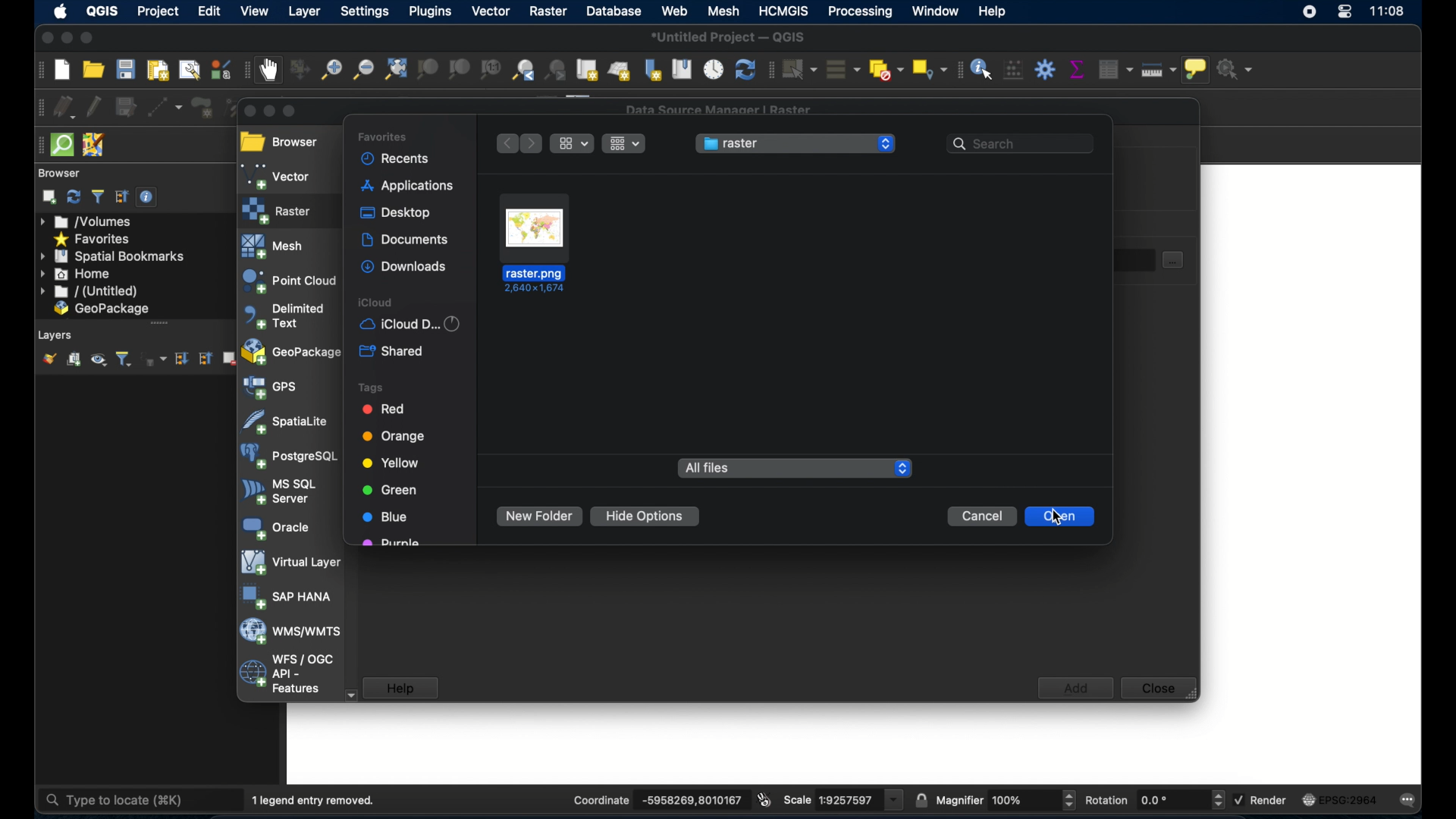 This screenshot has height=819, width=1456. What do you see at coordinates (120, 196) in the screenshot?
I see `collapse all` at bounding box center [120, 196].